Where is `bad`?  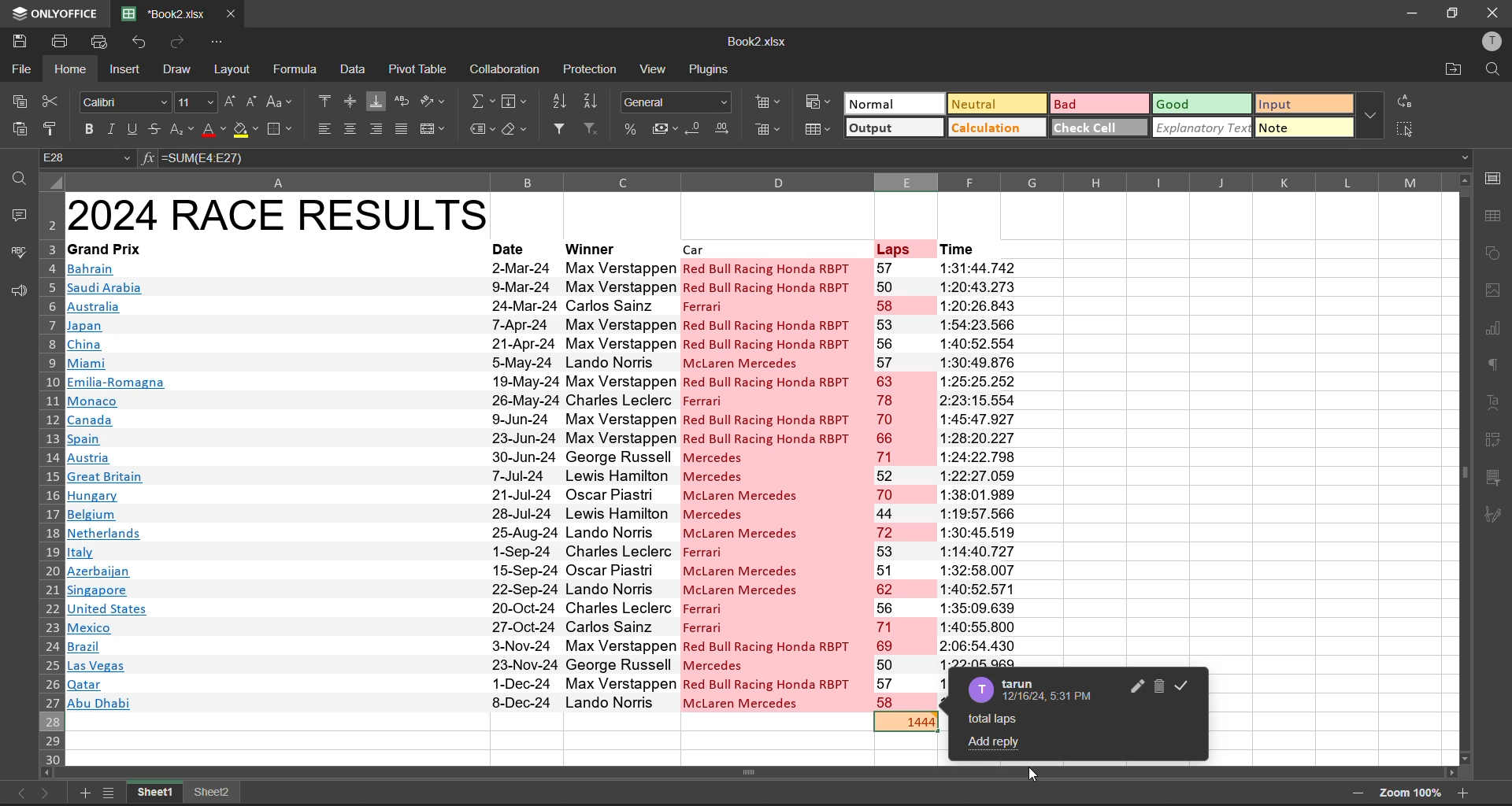 bad is located at coordinates (1098, 104).